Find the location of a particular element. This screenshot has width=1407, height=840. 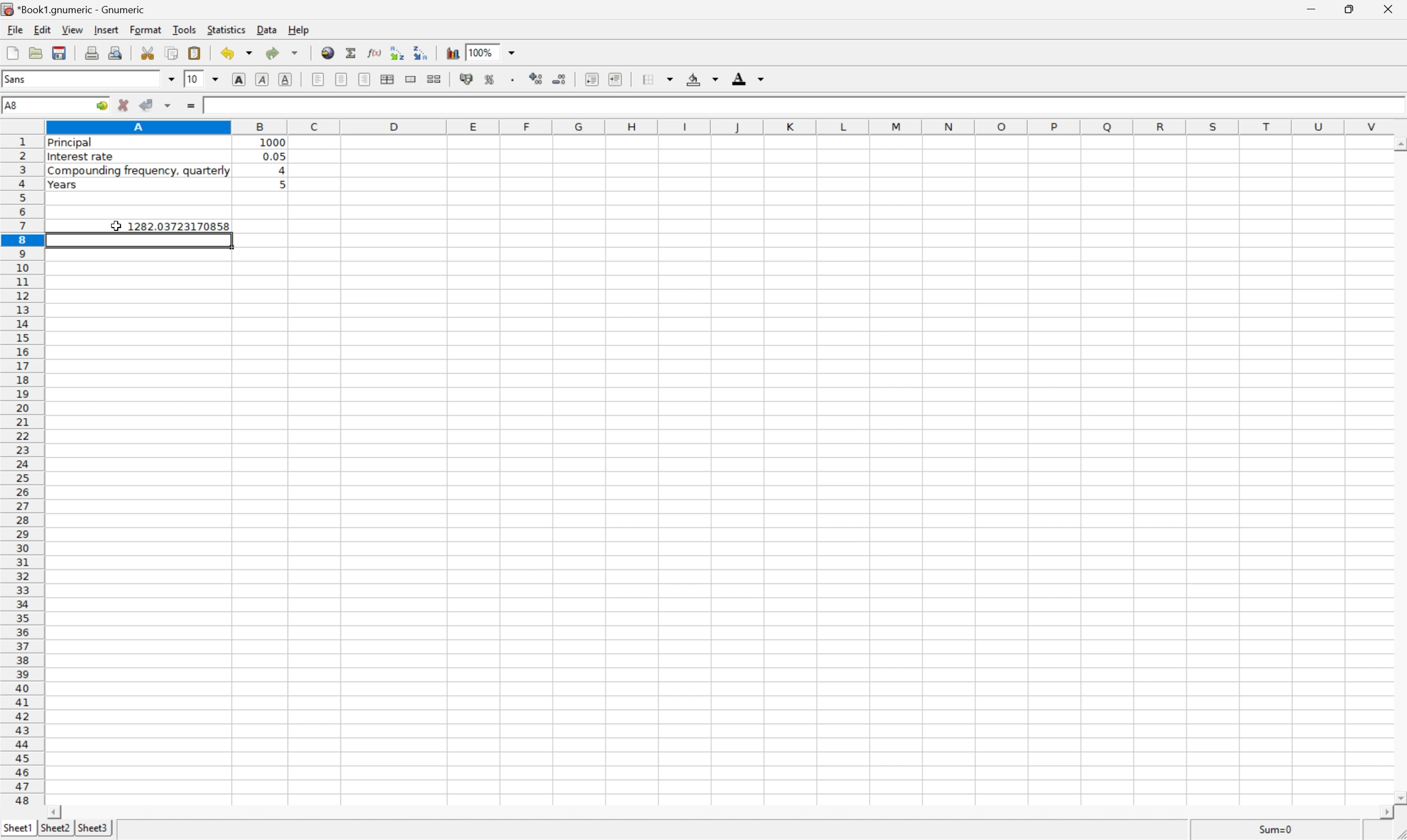

1282.03723170858 is located at coordinates (173, 227).